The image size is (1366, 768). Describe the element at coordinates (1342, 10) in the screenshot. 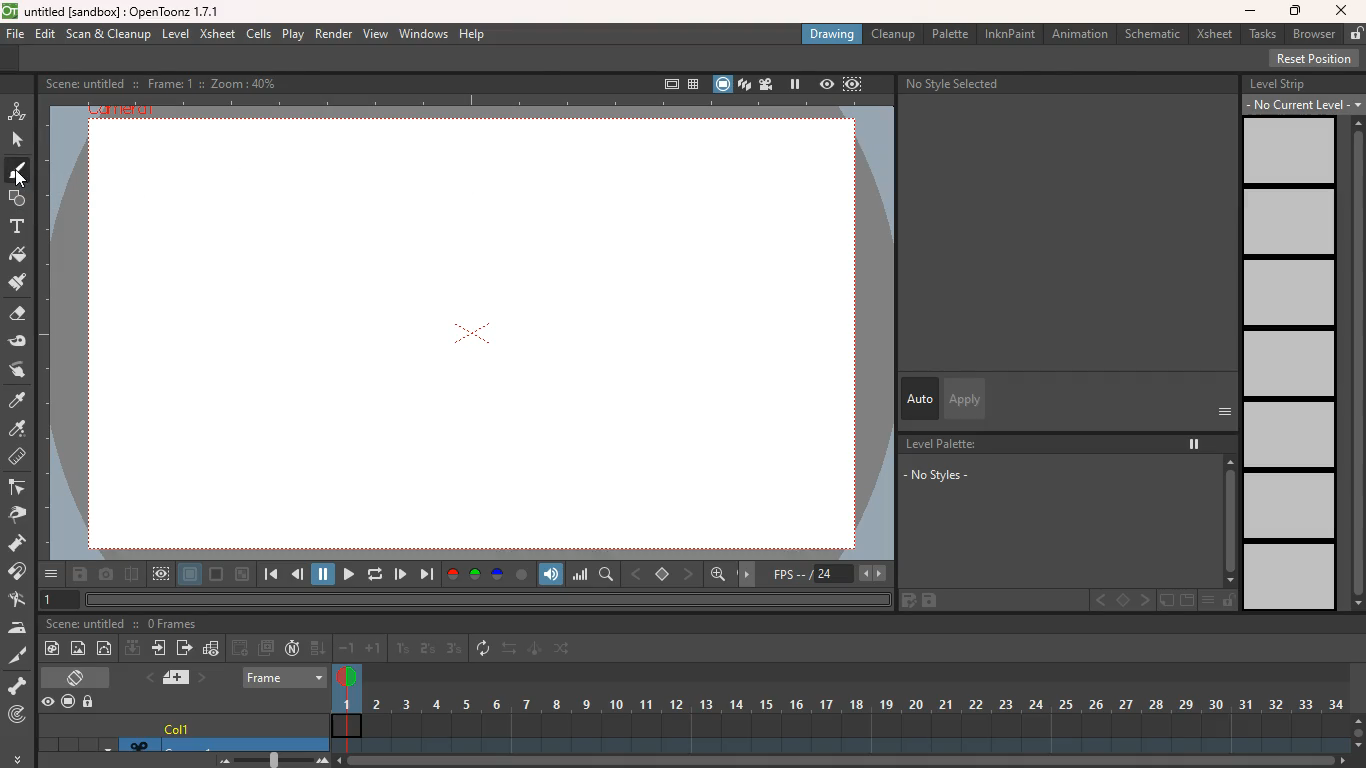

I see `close` at that location.